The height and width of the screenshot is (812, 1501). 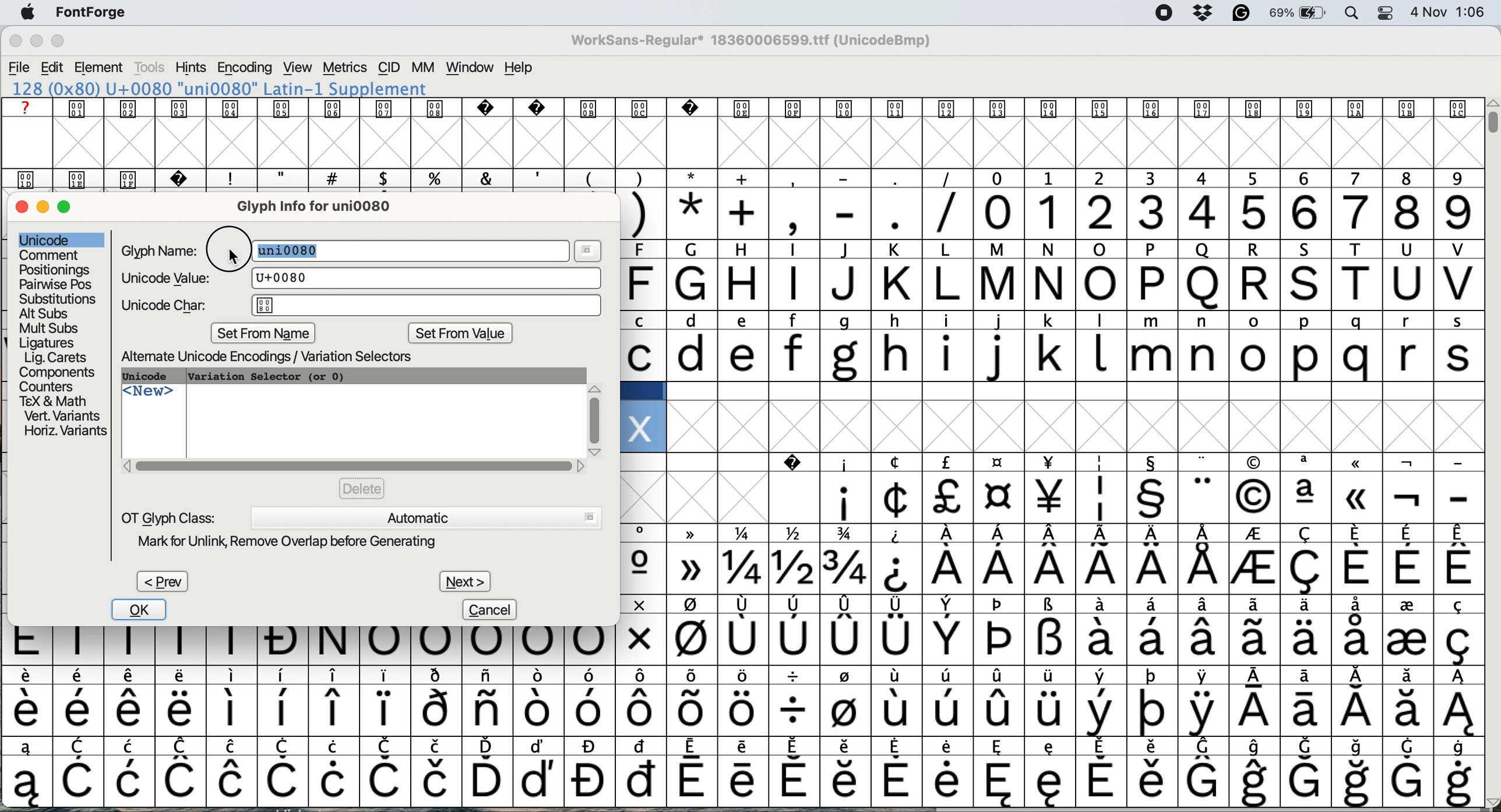 I want to click on next, so click(x=464, y=578).